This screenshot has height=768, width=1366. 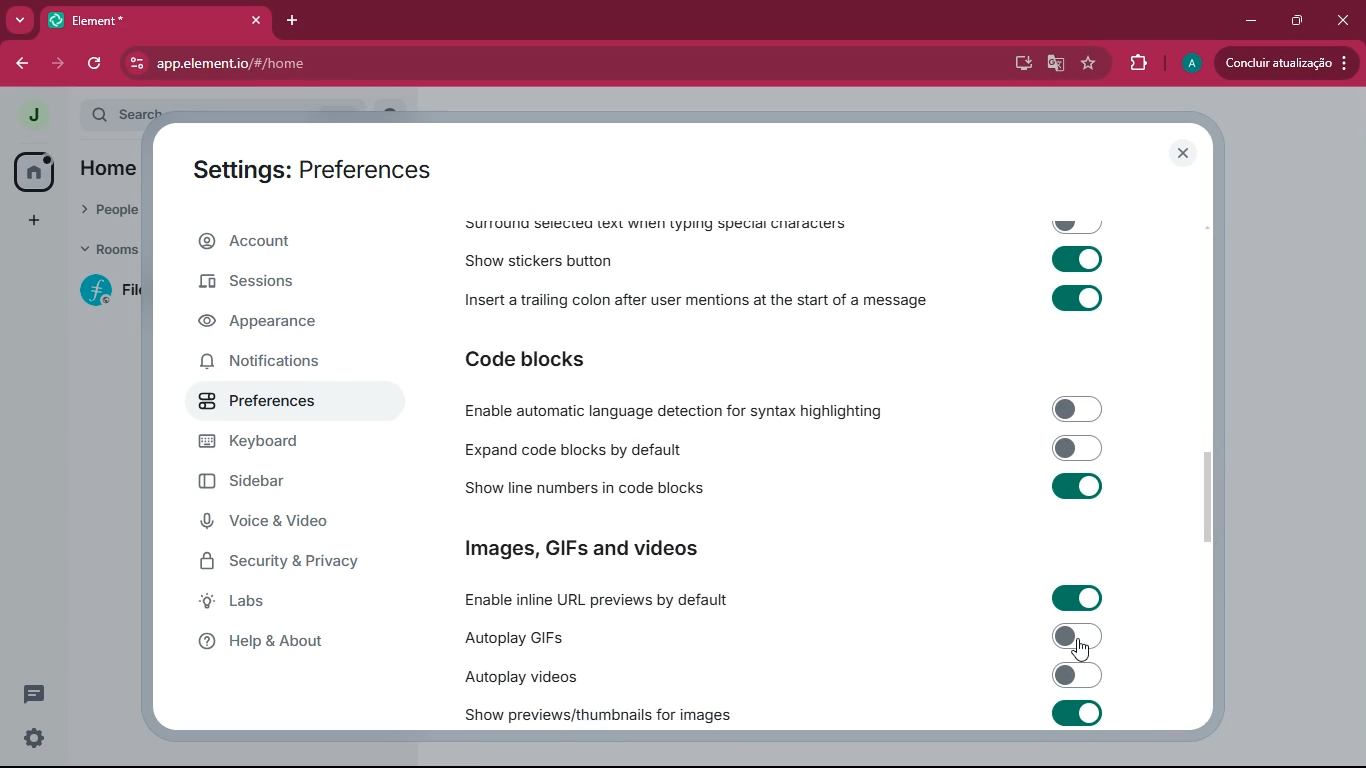 I want to click on Enable automatic language detection for syntax highlighting, so click(x=781, y=409).